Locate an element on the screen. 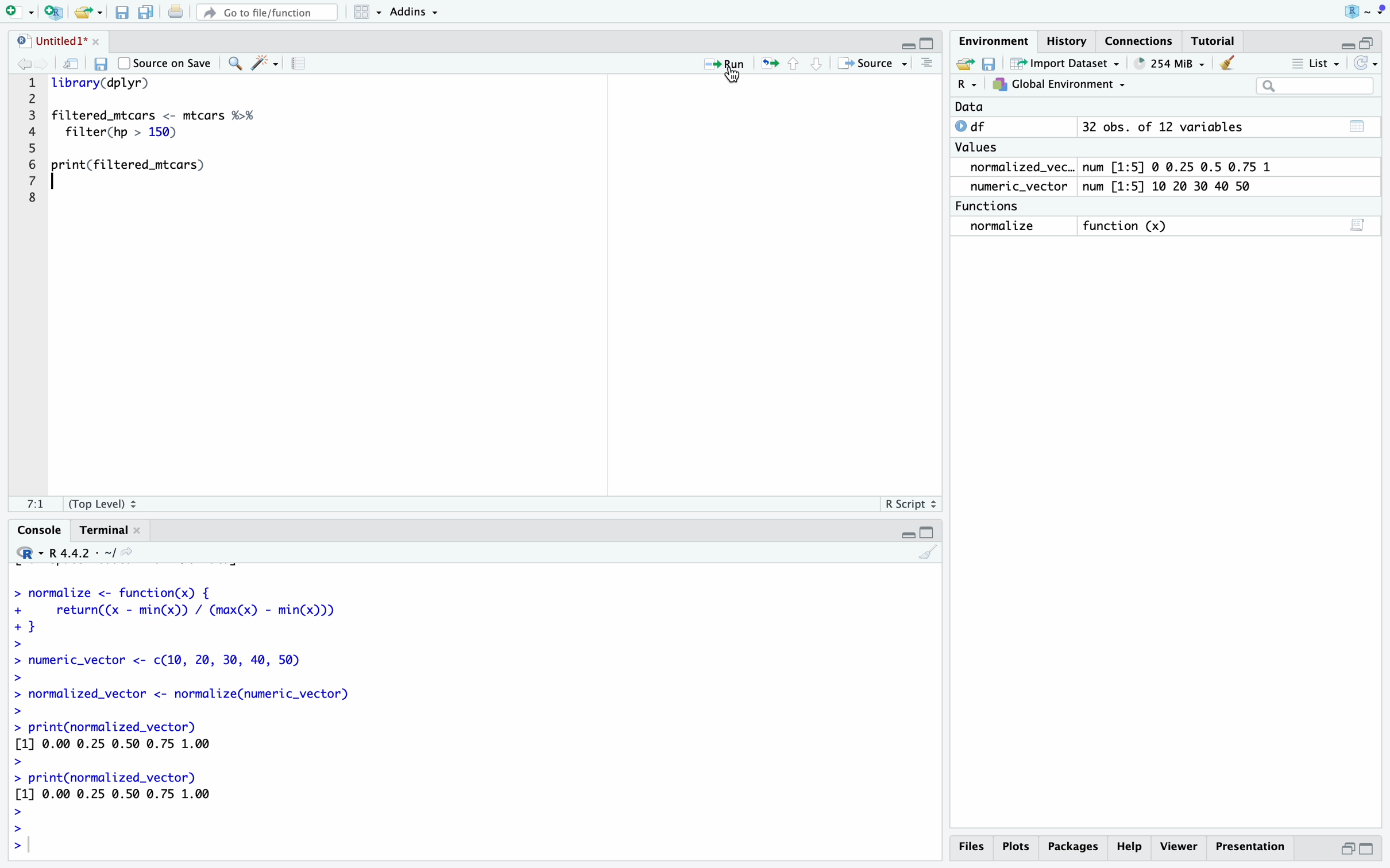 This screenshot has width=1390, height=868. minimize is located at coordinates (906, 533).